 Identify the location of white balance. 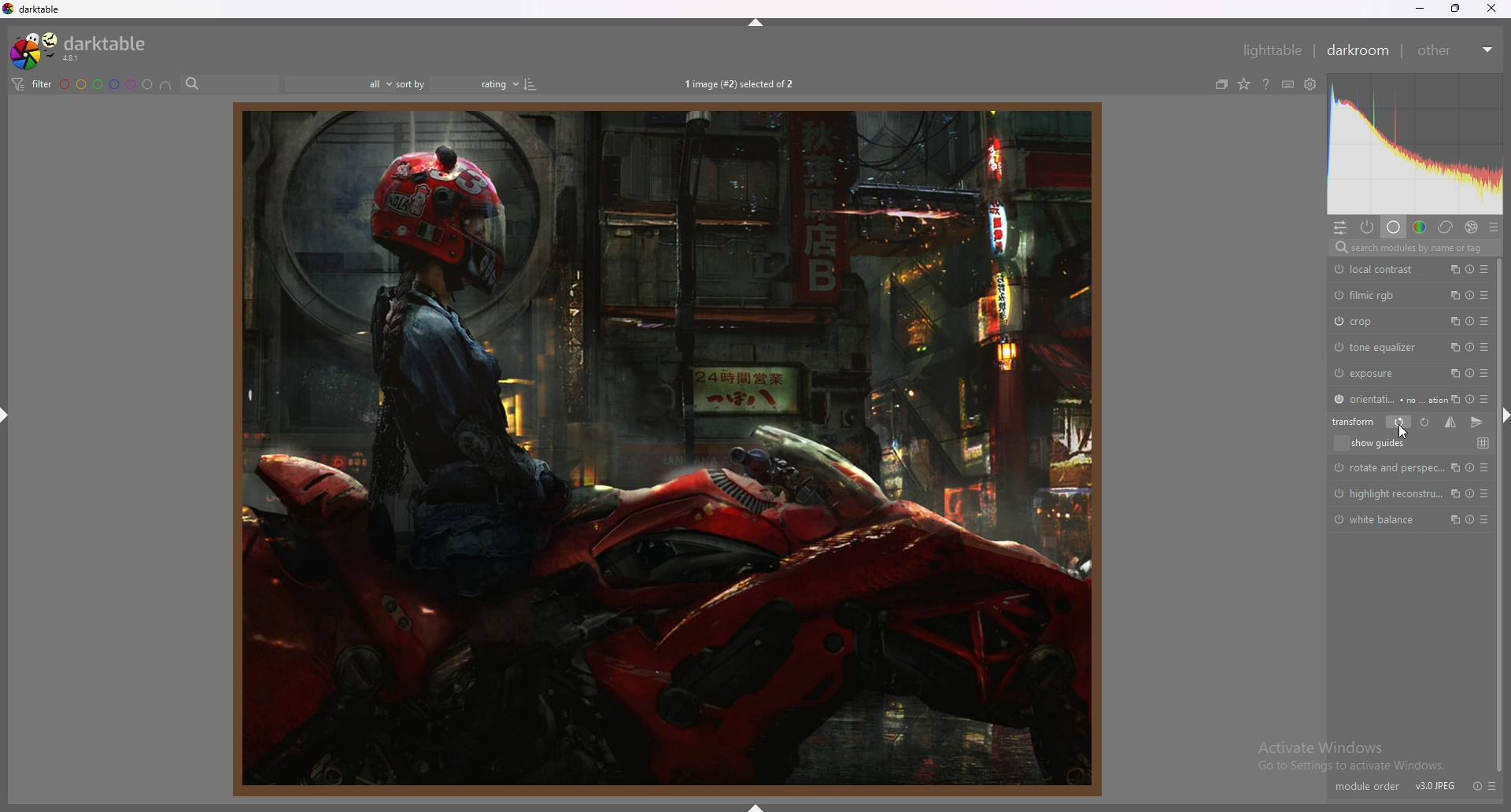
(1380, 521).